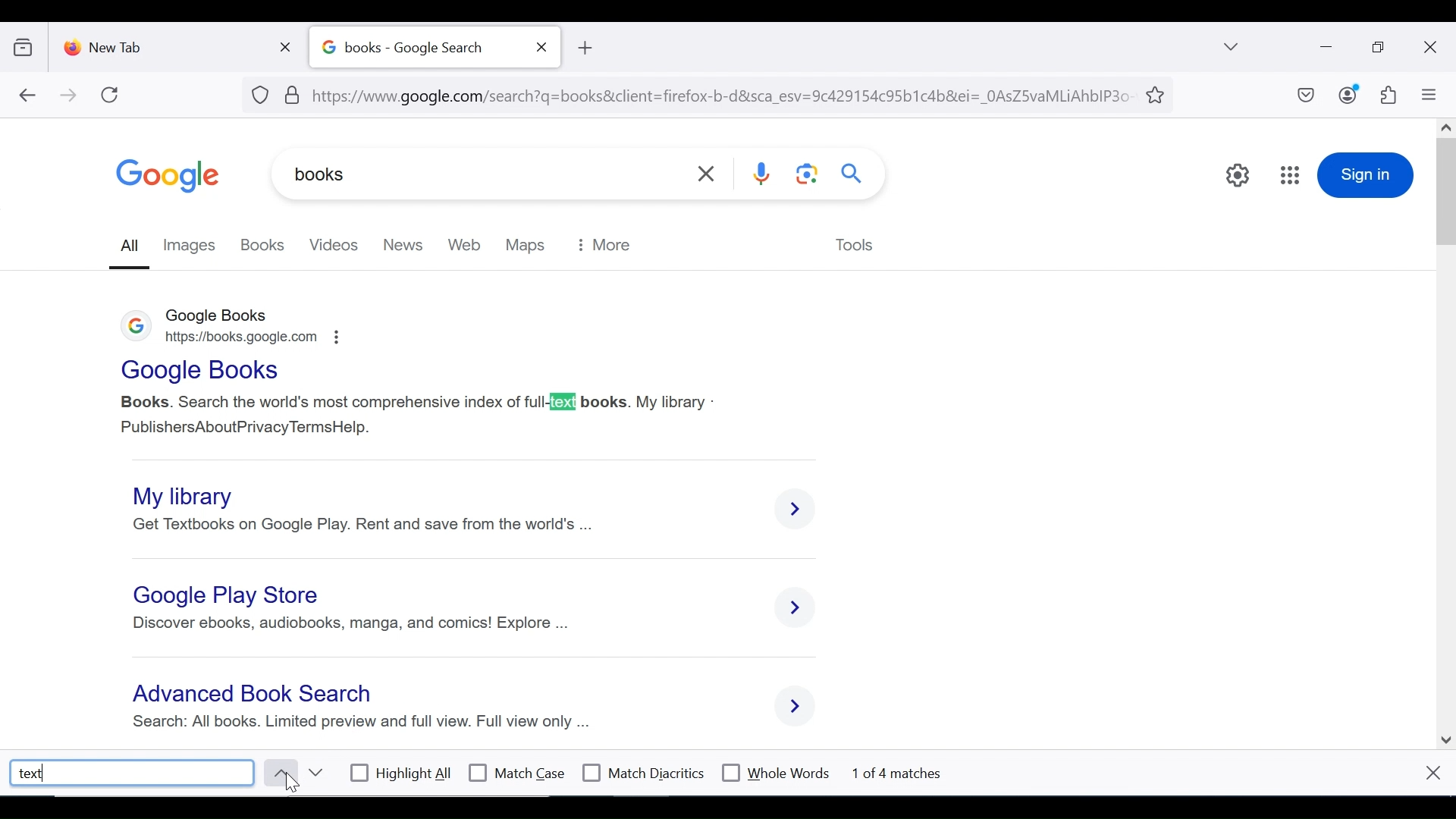 The height and width of the screenshot is (819, 1456). I want to click on search, so click(853, 172).